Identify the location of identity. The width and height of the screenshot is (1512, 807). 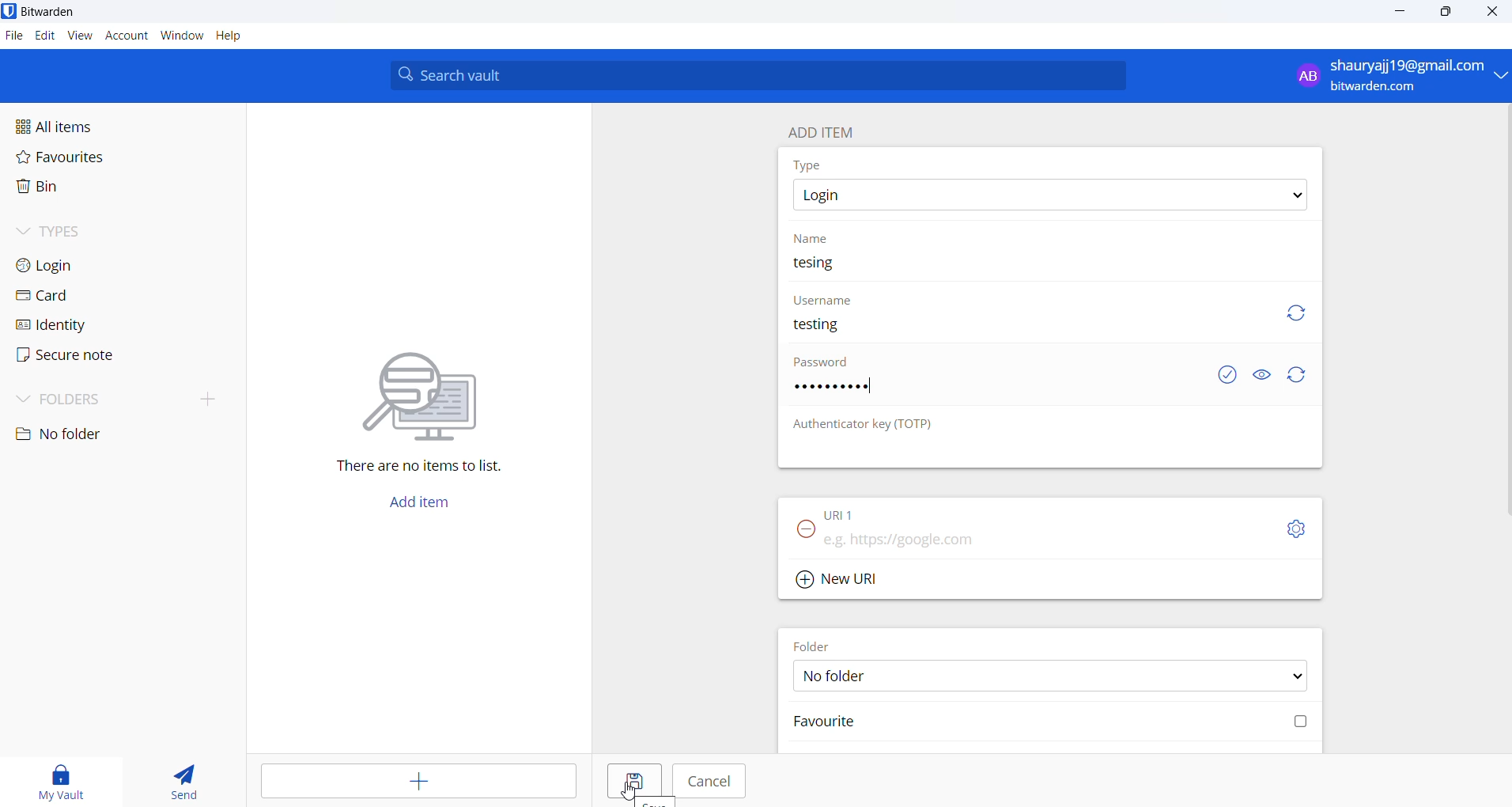
(60, 324).